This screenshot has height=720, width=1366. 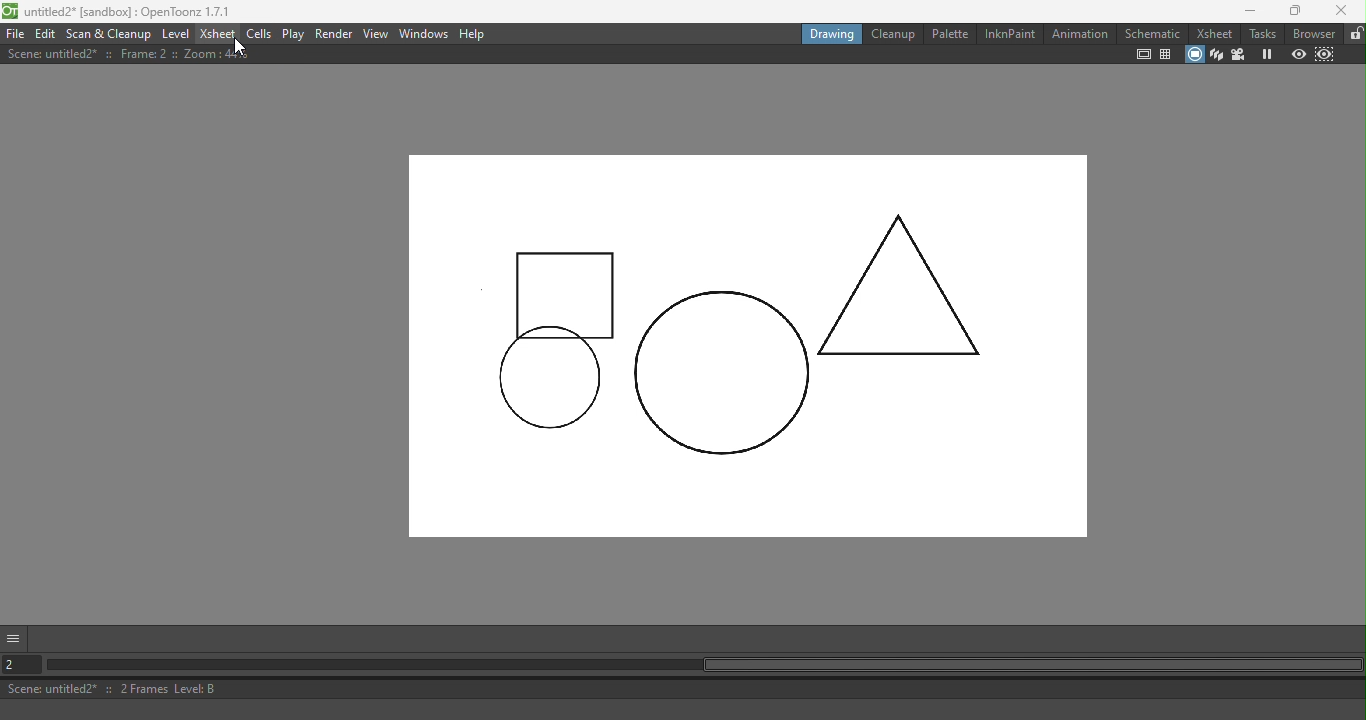 I want to click on Close, so click(x=1341, y=11).